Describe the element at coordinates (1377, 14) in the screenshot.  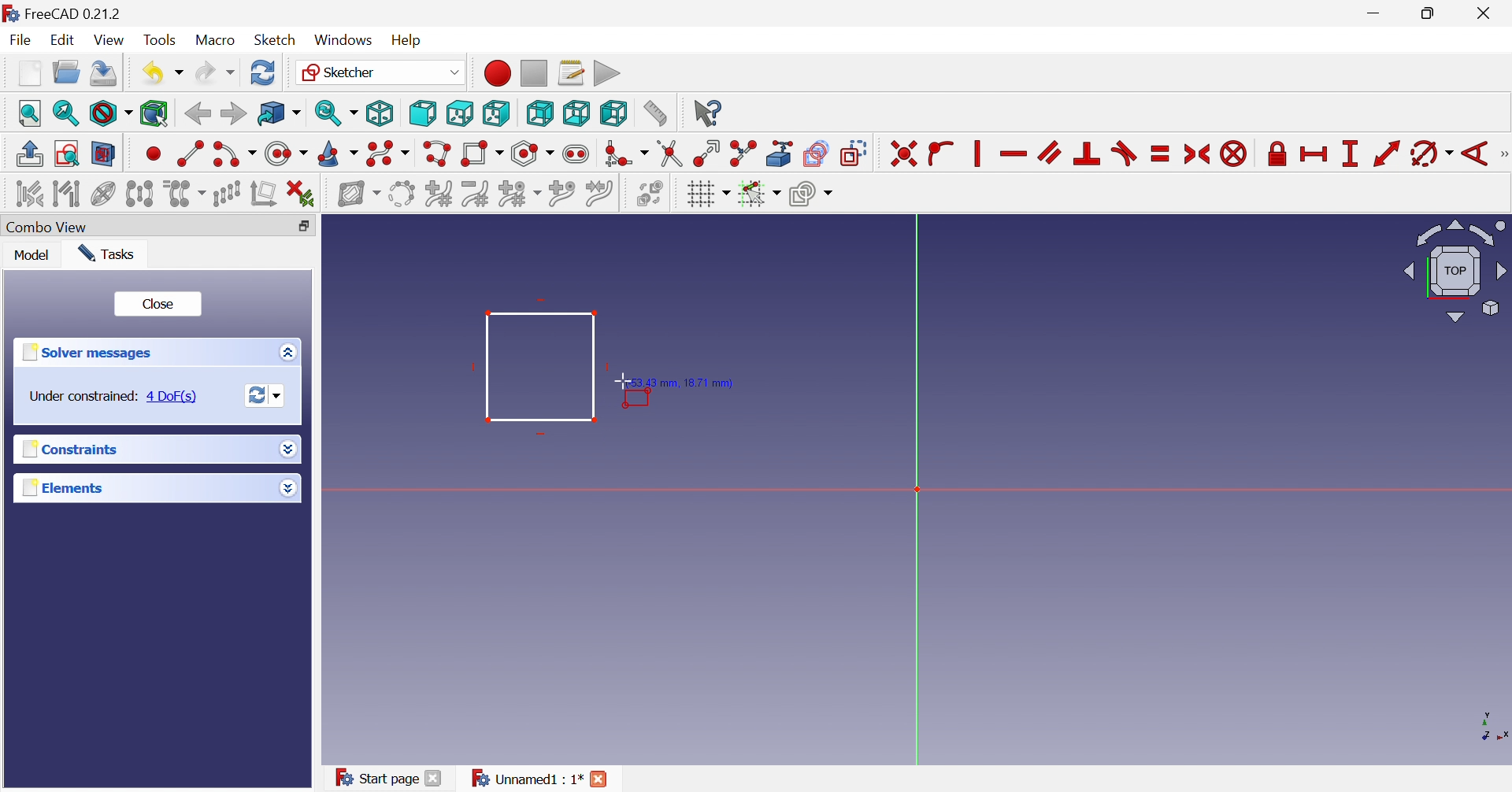
I see `Minimize` at that location.